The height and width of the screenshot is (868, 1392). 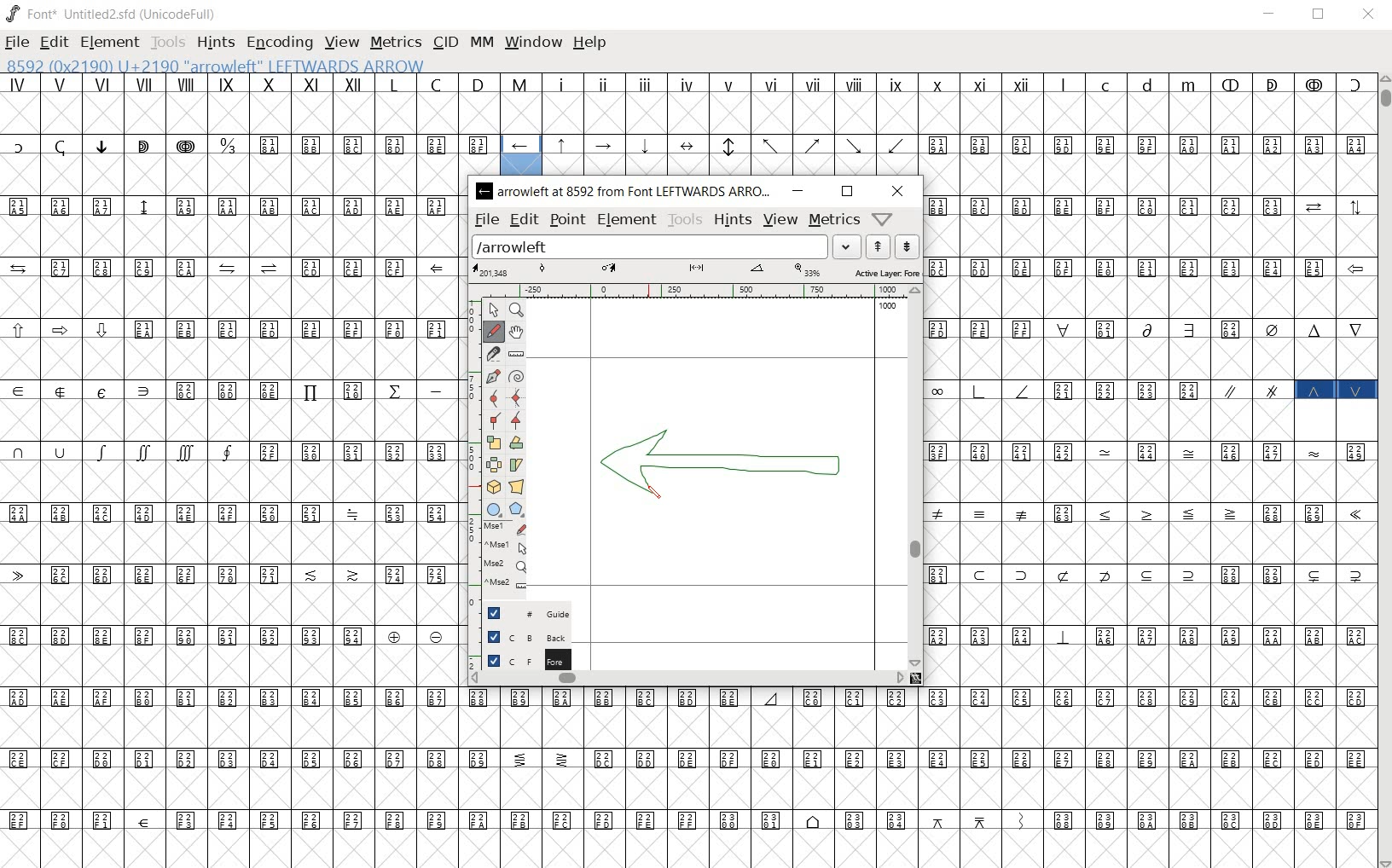 What do you see at coordinates (230, 65) in the screenshot?
I see `glyph name` at bounding box center [230, 65].